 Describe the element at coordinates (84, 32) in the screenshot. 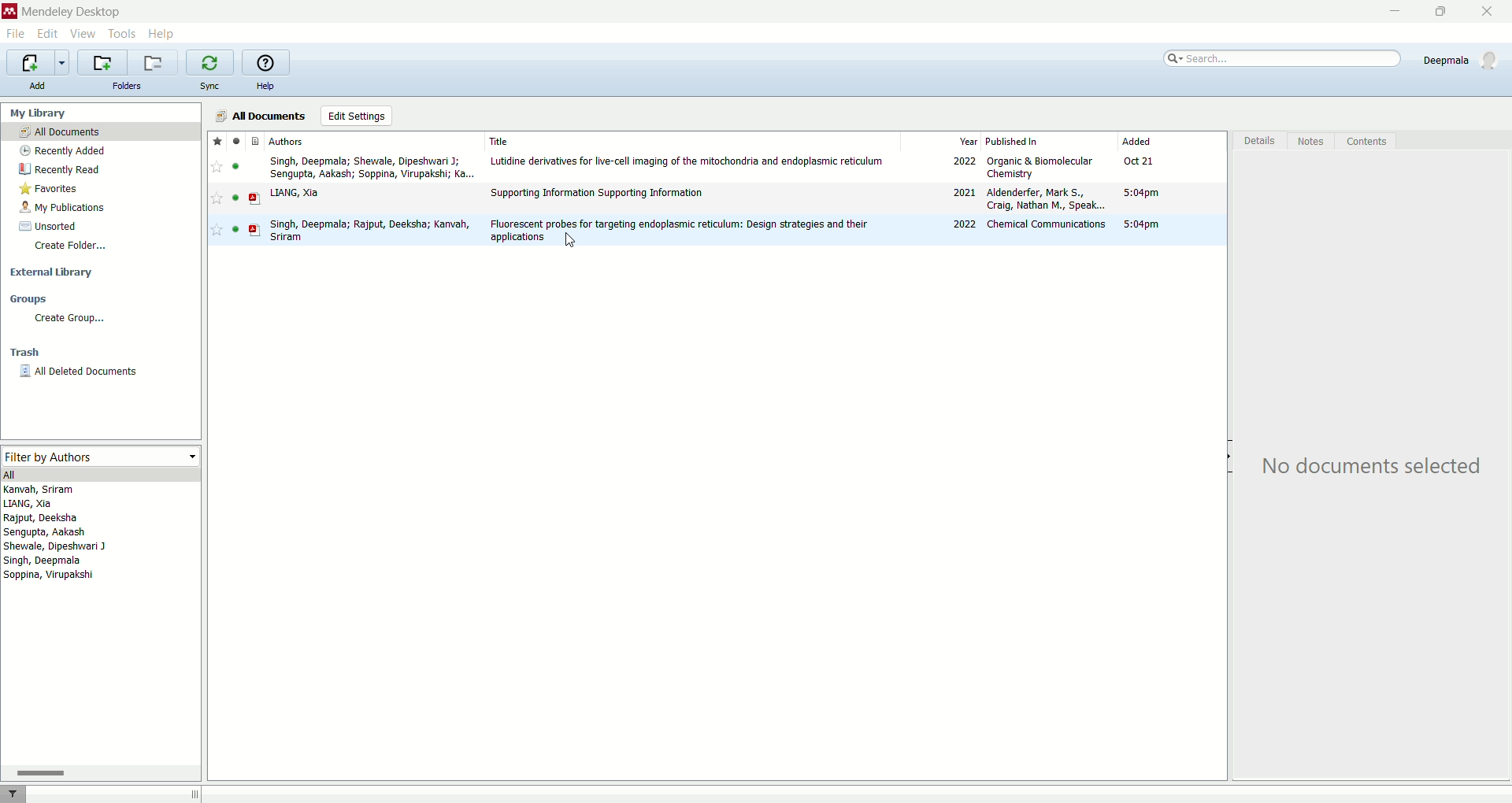

I see `view` at that location.